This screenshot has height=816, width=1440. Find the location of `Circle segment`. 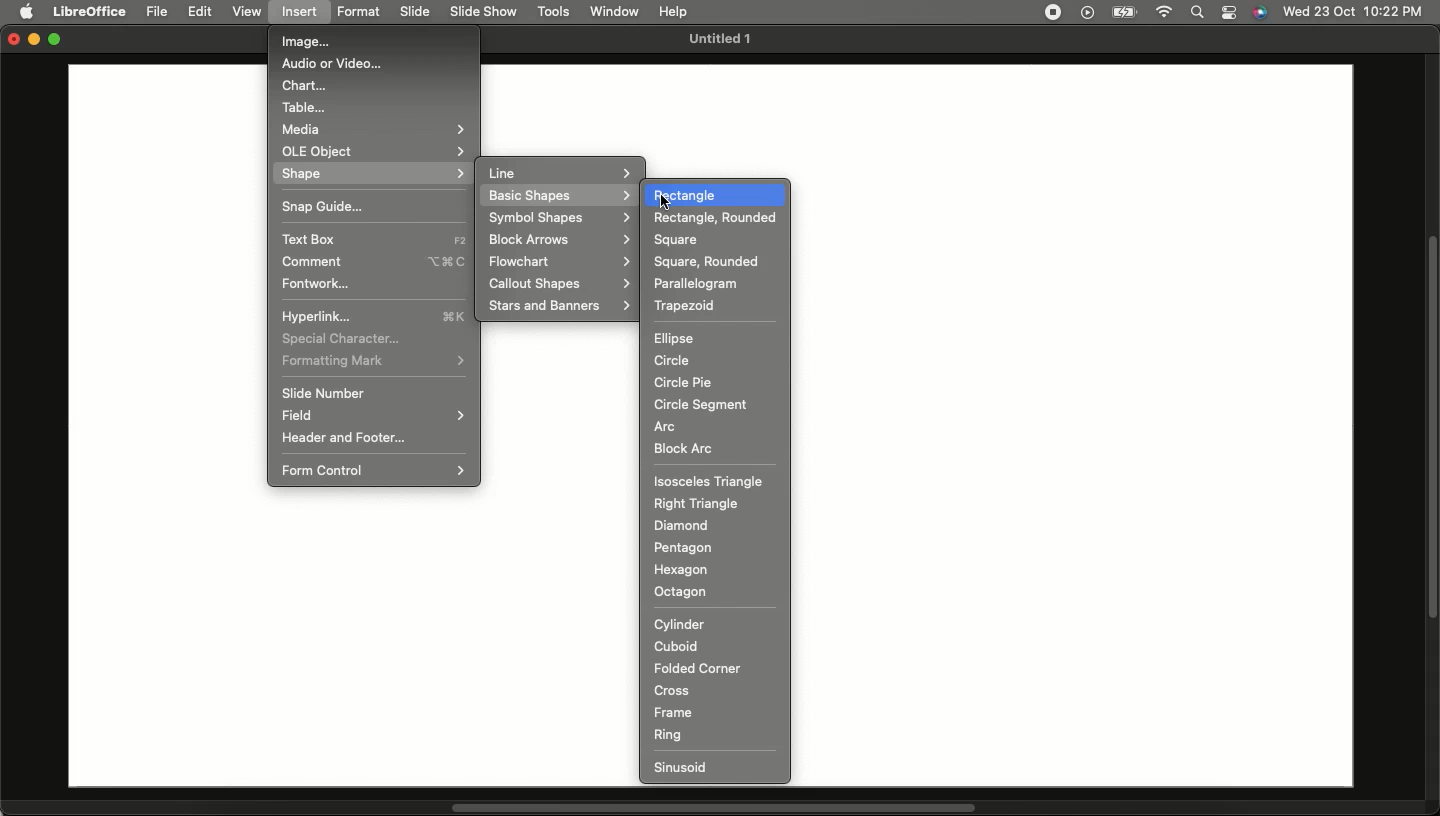

Circle segment is located at coordinates (704, 405).